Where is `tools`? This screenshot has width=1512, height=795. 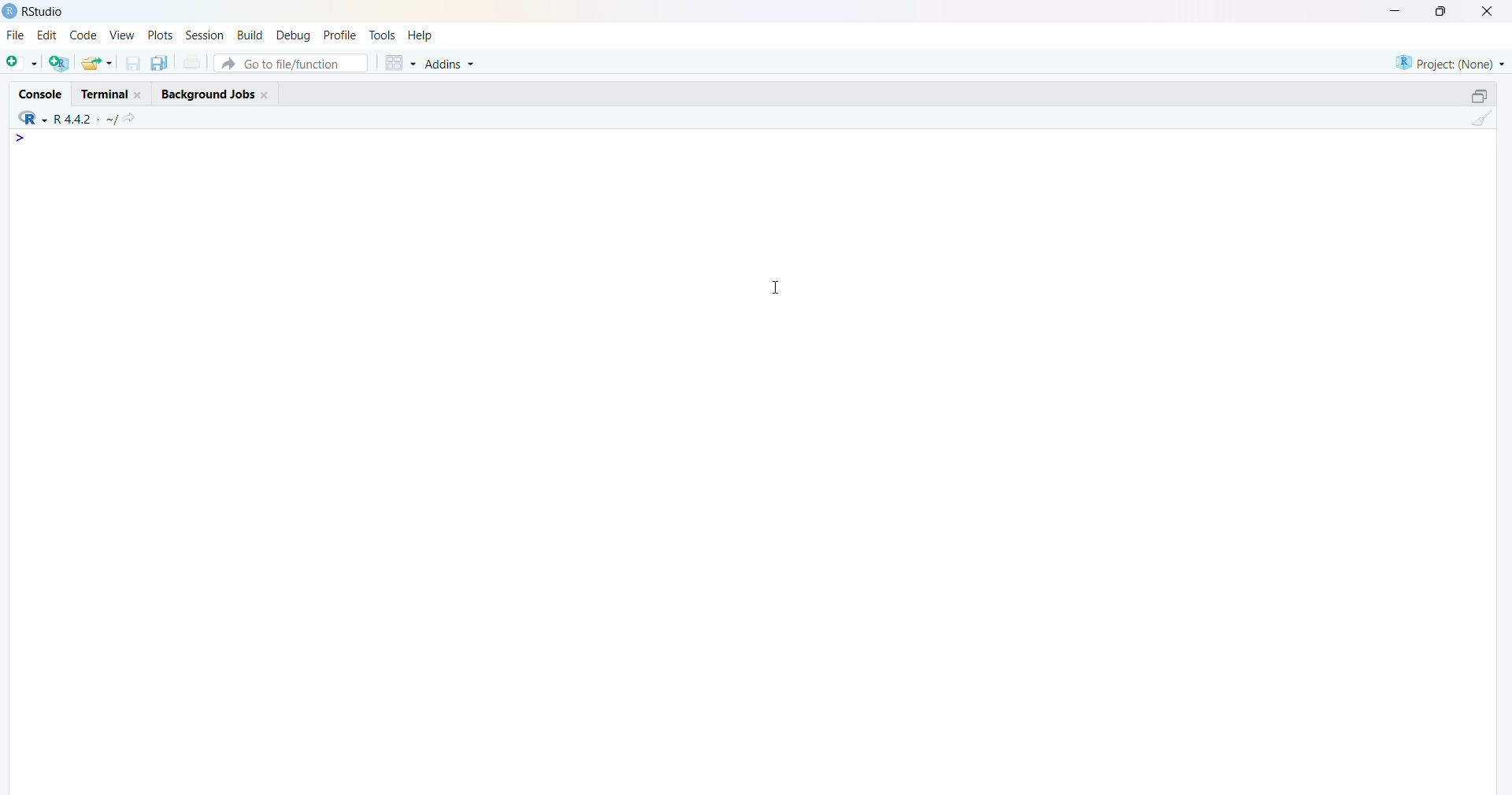 tools is located at coordinates (383, 35).